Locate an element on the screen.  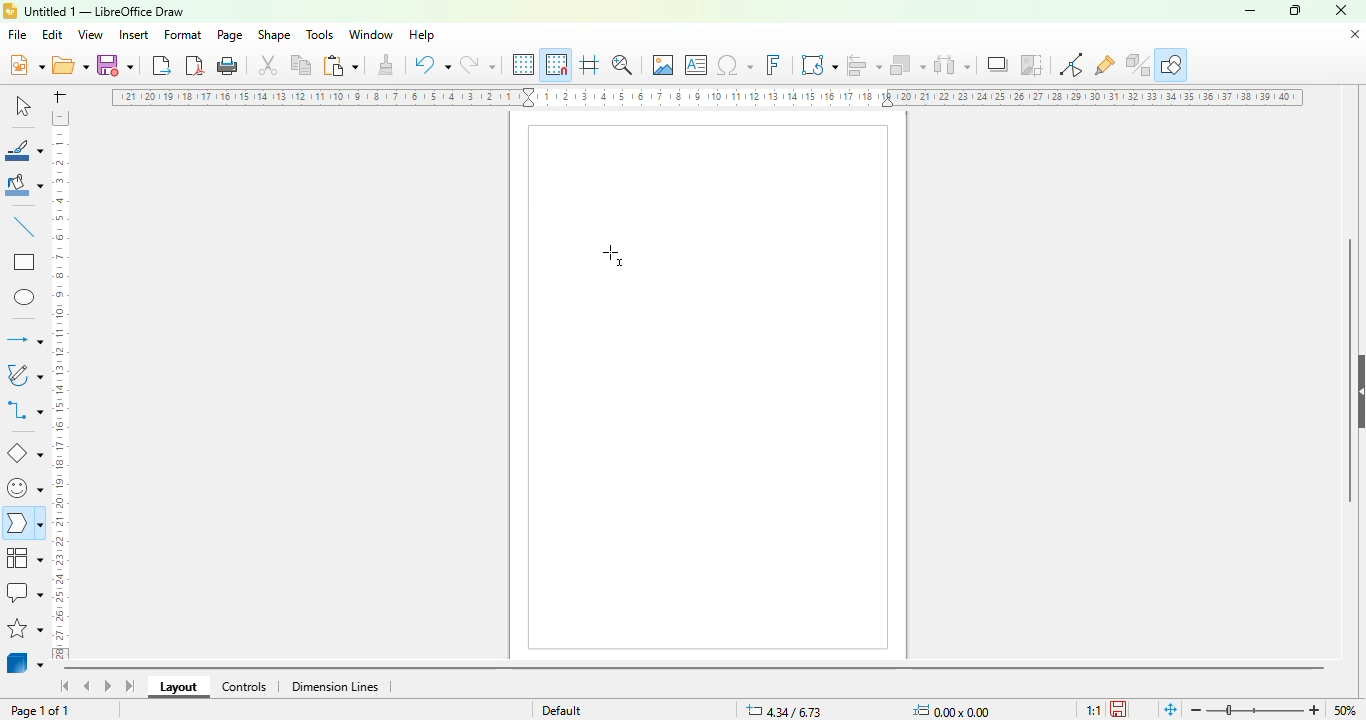
align objects is located at coordinates (864, 65).